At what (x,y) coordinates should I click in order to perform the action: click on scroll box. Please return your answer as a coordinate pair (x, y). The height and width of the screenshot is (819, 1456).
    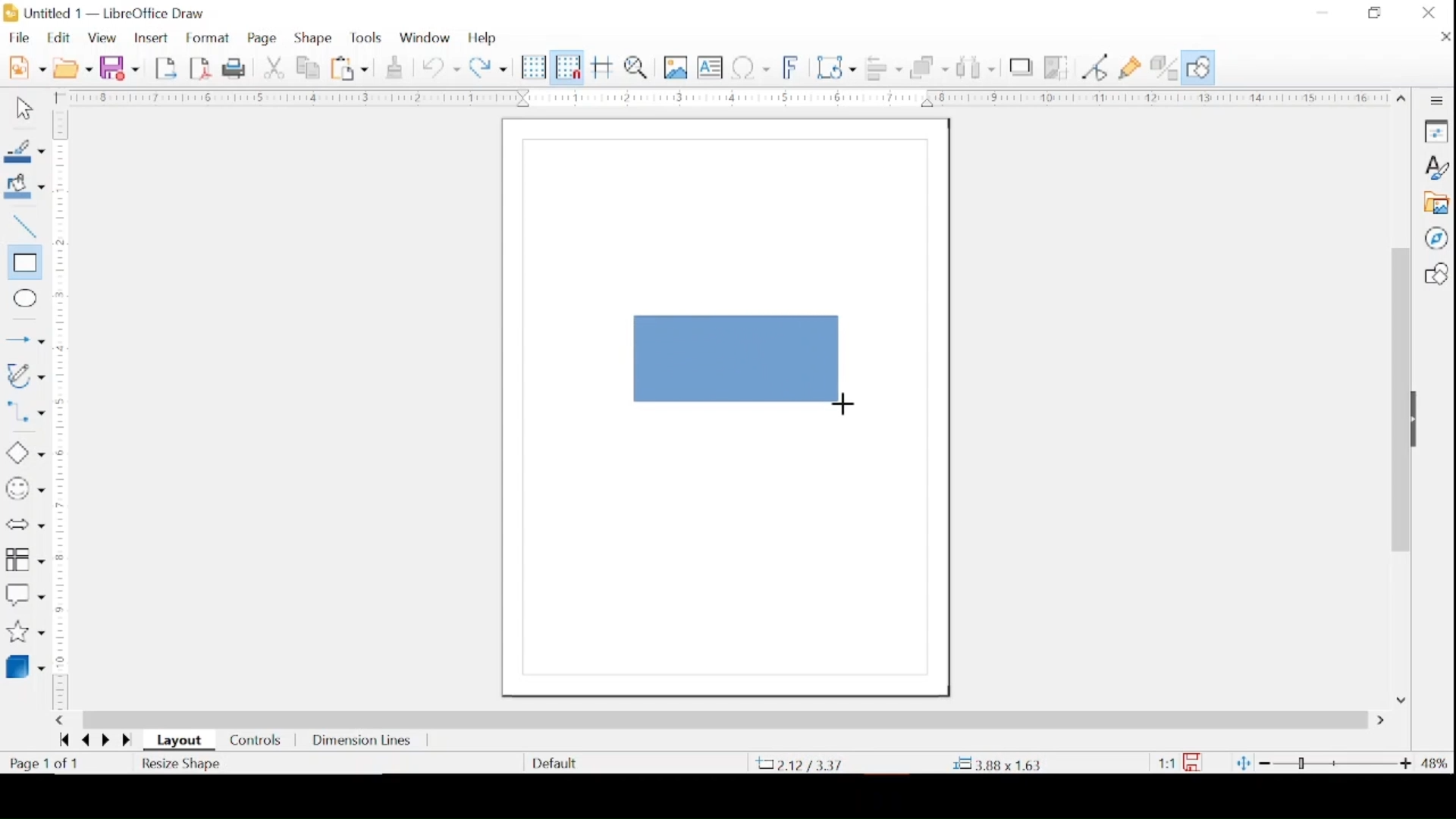
    Looking at the image, I should click on (1399, 403).